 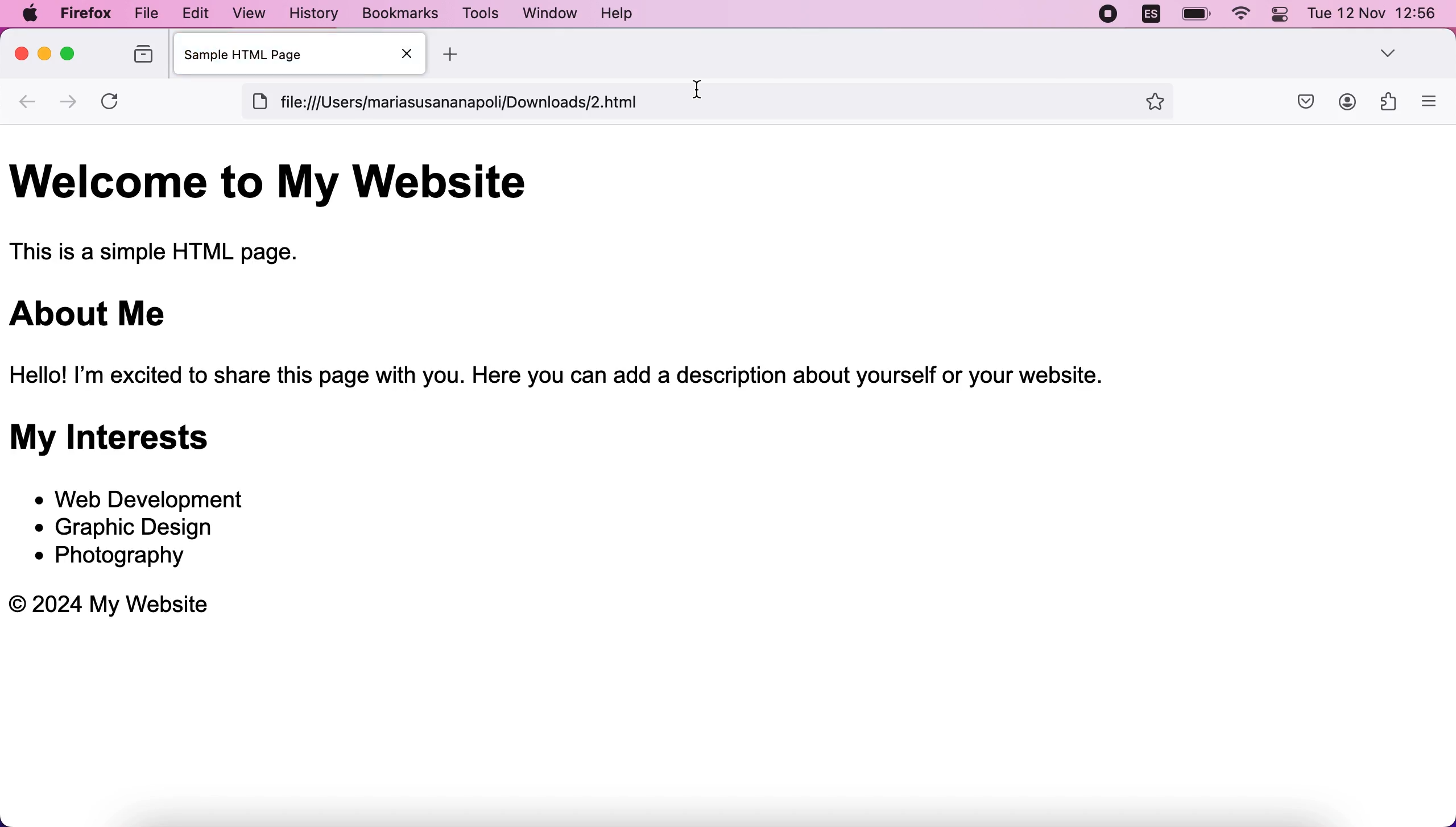 What do you see at coordinates (35, 14) in the screenshot?
I see `mac logo` at bounding box center [35, 14].